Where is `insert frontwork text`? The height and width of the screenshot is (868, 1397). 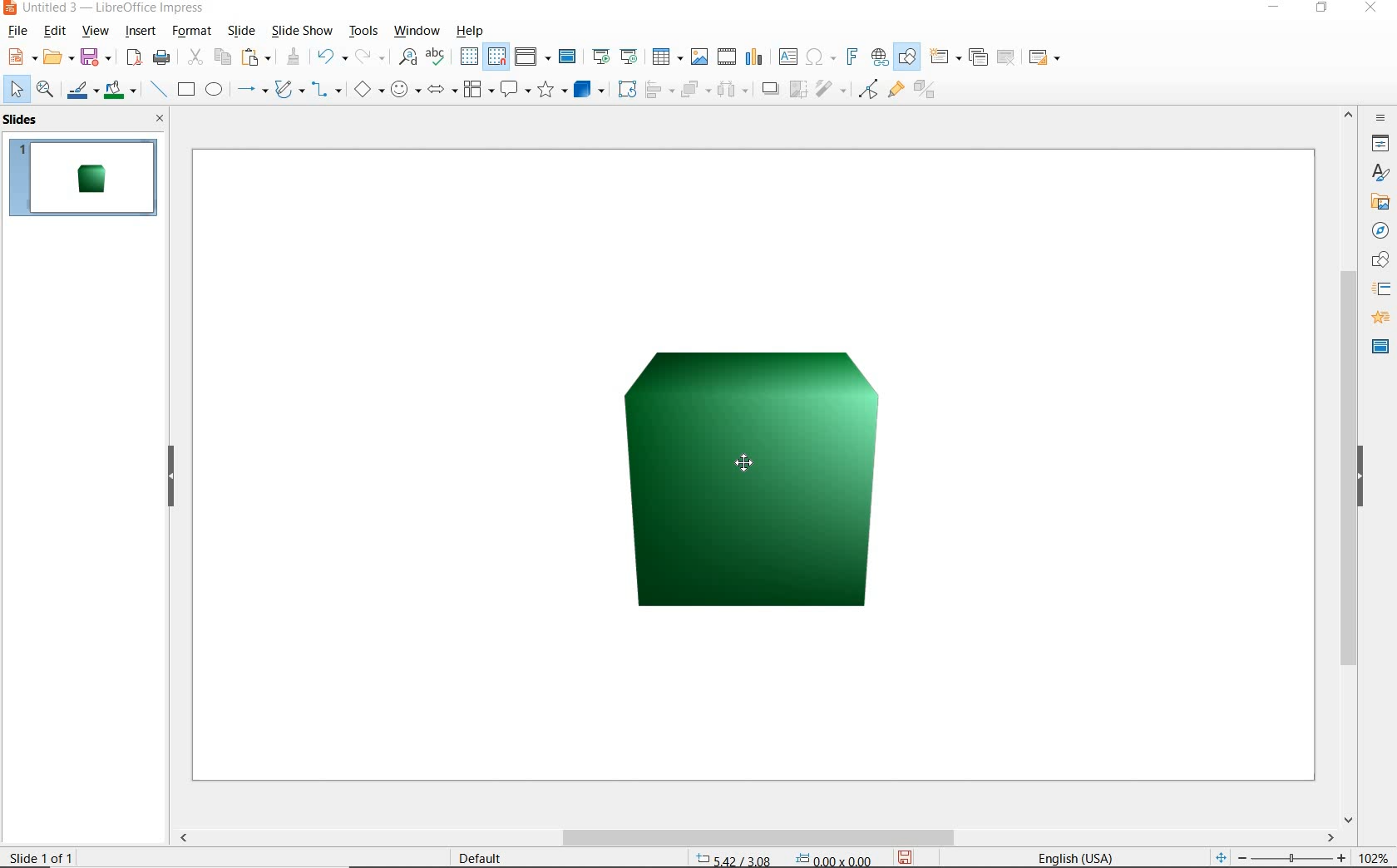
insert frontwork text is located at coordinates (853, 59).